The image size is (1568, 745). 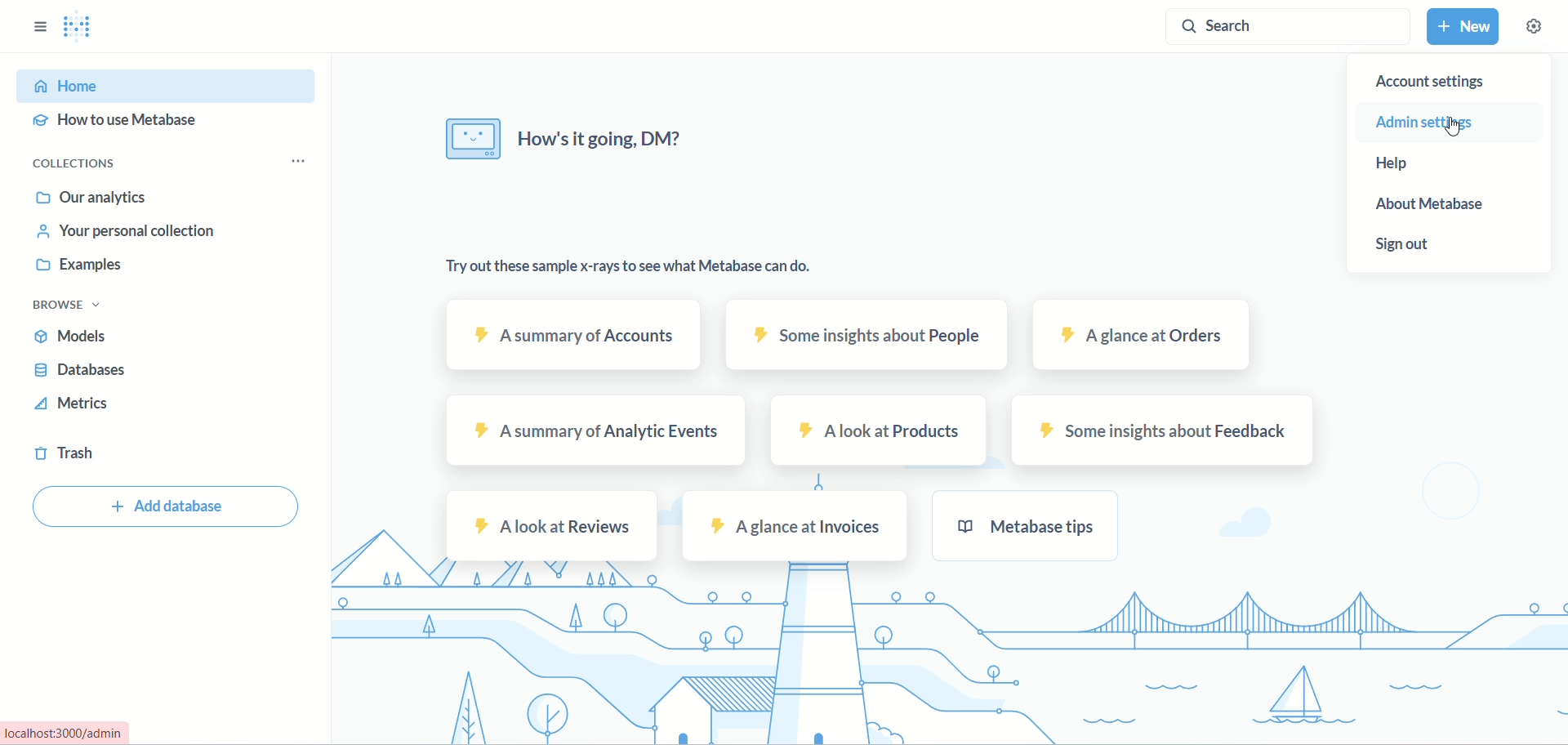 I want to click on text, so click(x=559, y=138).